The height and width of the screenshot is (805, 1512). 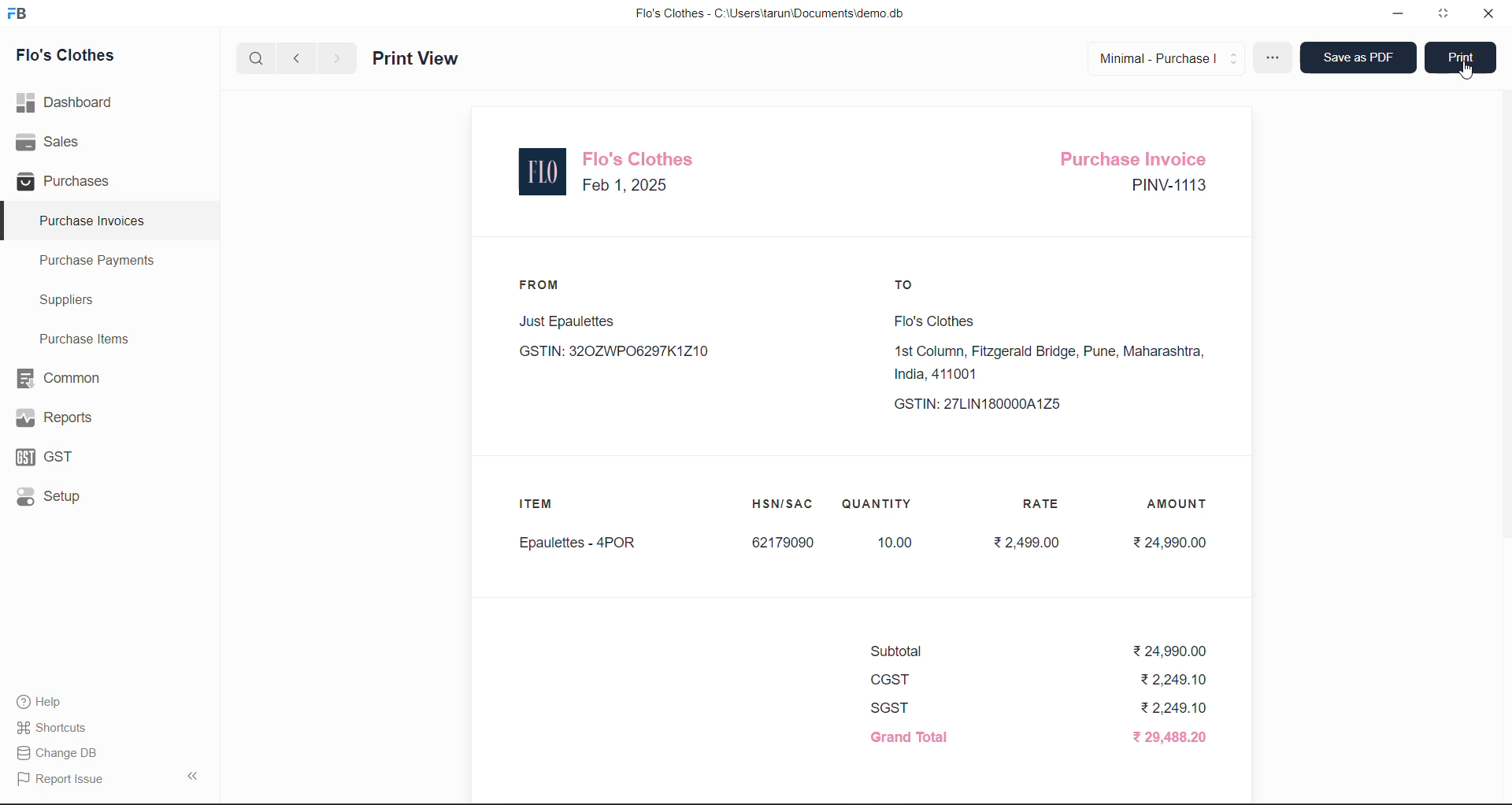 I want to click on close, so click(x=1488, y=17).